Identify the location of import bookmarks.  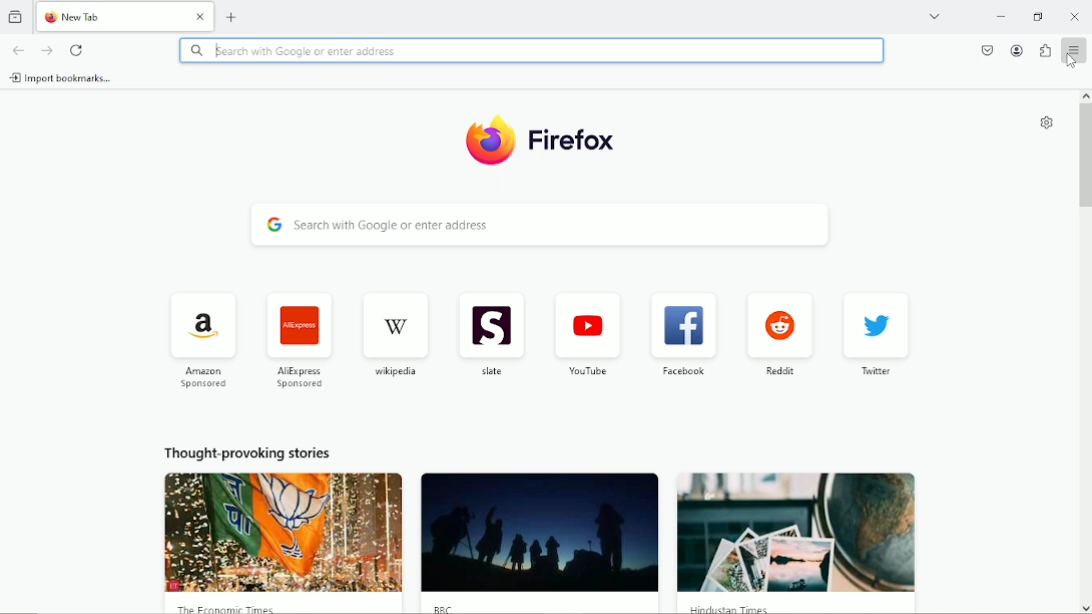
(62, 78).